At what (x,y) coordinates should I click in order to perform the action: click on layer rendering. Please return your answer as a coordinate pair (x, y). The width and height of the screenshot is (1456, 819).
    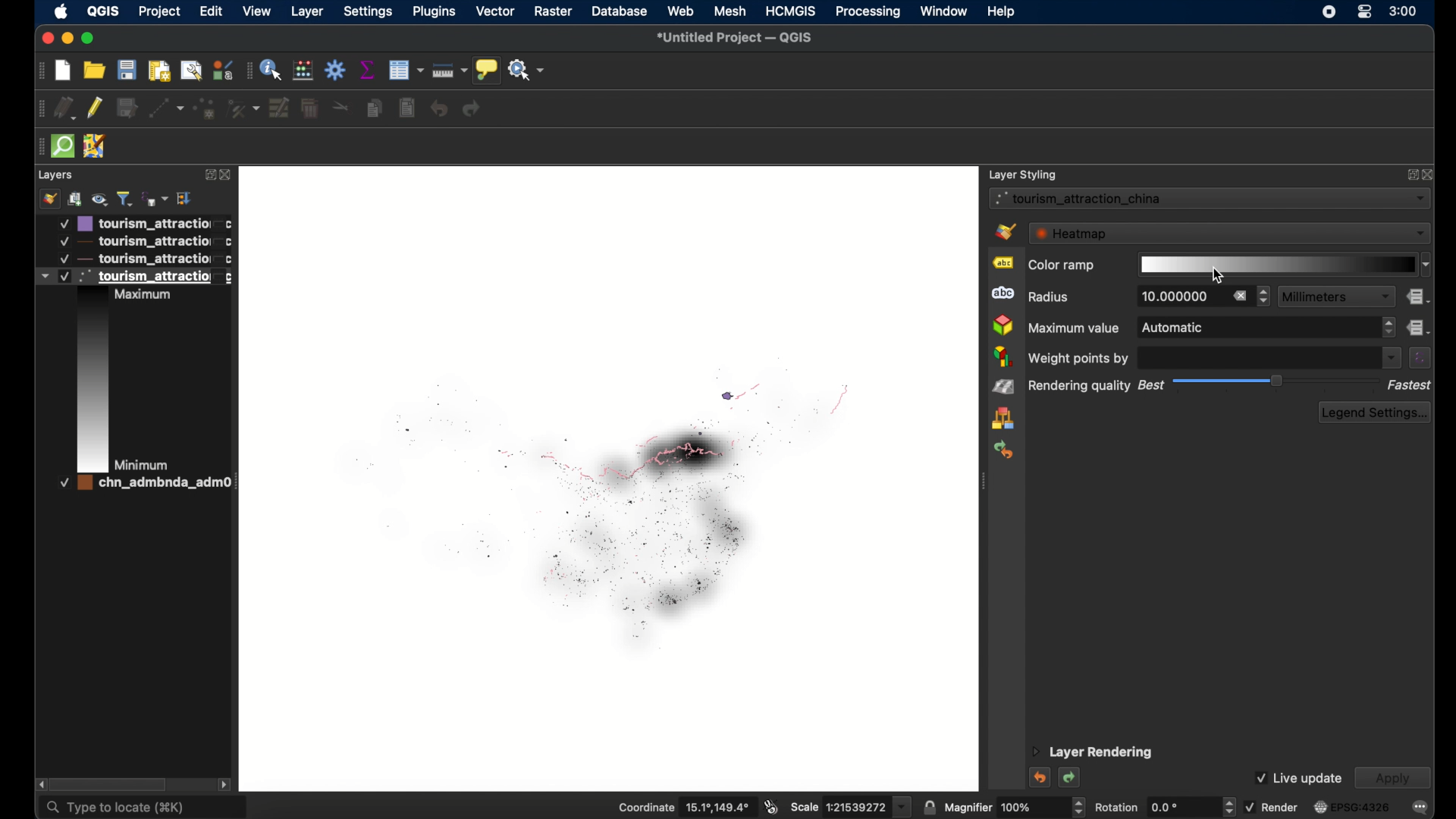
    Looking at the image, I should click on (1093, 753).